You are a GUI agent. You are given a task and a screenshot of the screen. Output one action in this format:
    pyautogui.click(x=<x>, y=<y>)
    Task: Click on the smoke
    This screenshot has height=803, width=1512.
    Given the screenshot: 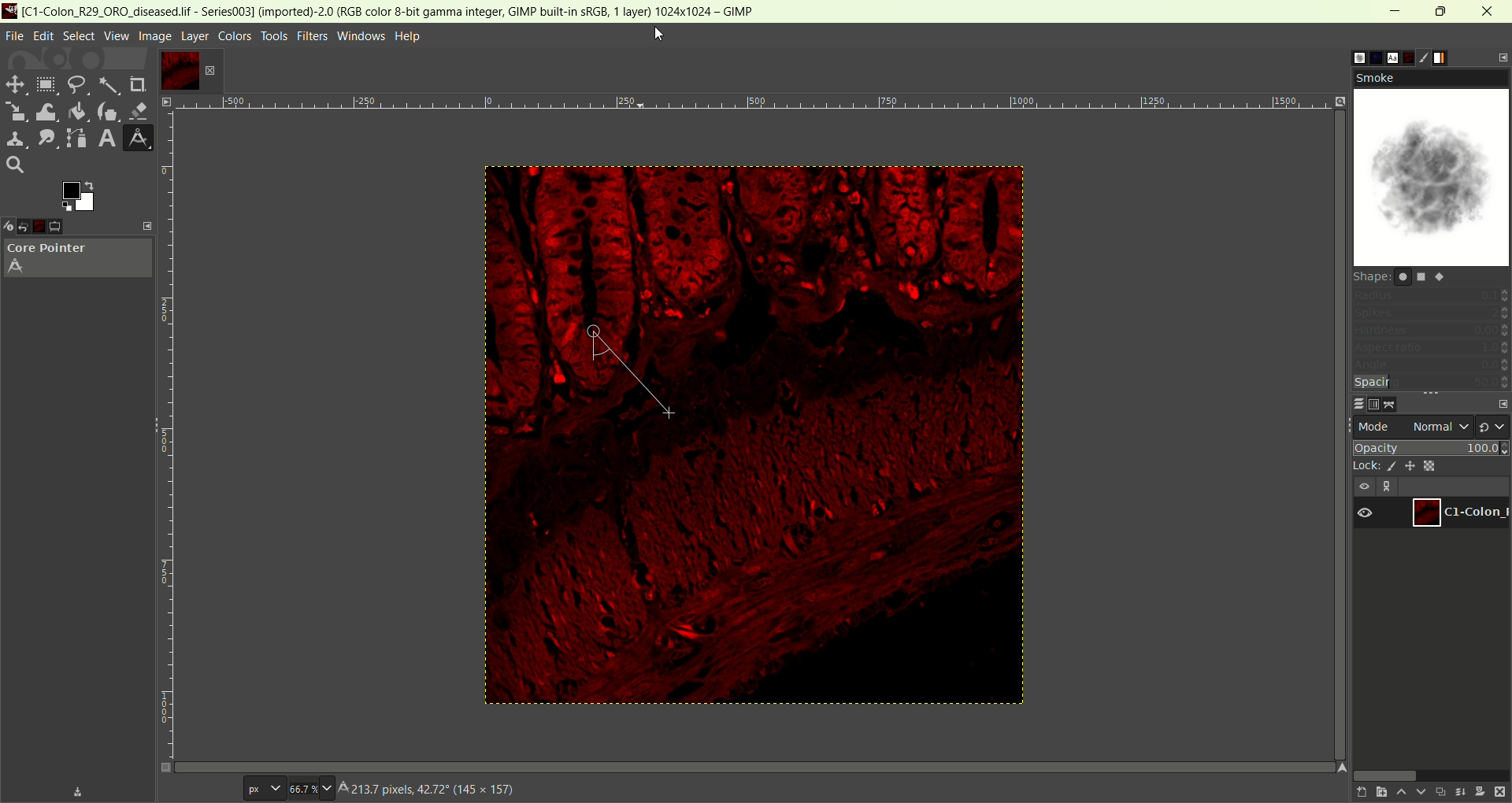 What is the action you would take?
    pyautogui.click(x=1431, y=167)
    